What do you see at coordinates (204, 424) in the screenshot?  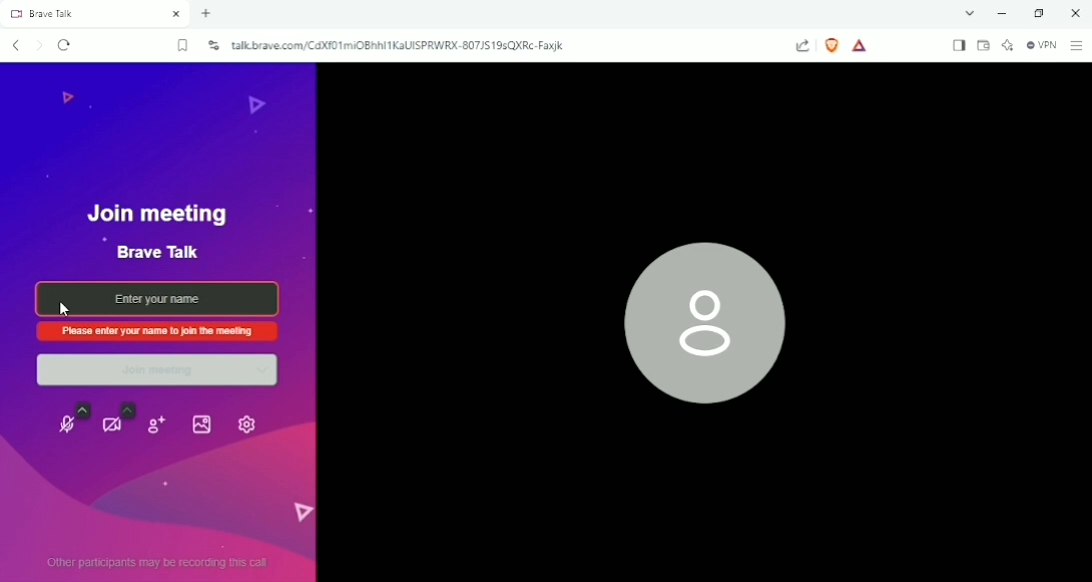 I see `Select Background` at bounding box center [204, 424].